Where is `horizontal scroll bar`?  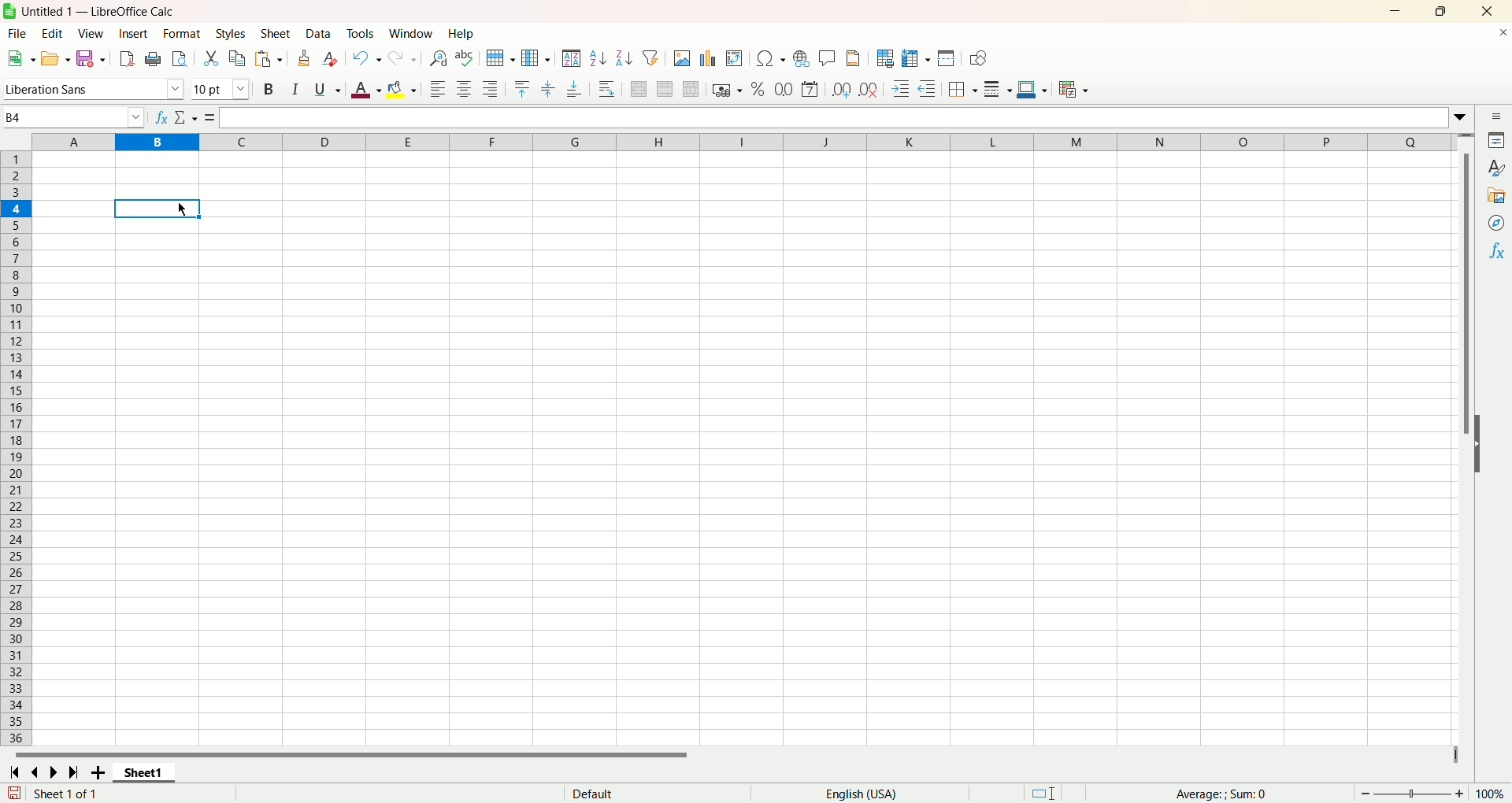
horizontal scroll bar is located at coordinates (726, 755).